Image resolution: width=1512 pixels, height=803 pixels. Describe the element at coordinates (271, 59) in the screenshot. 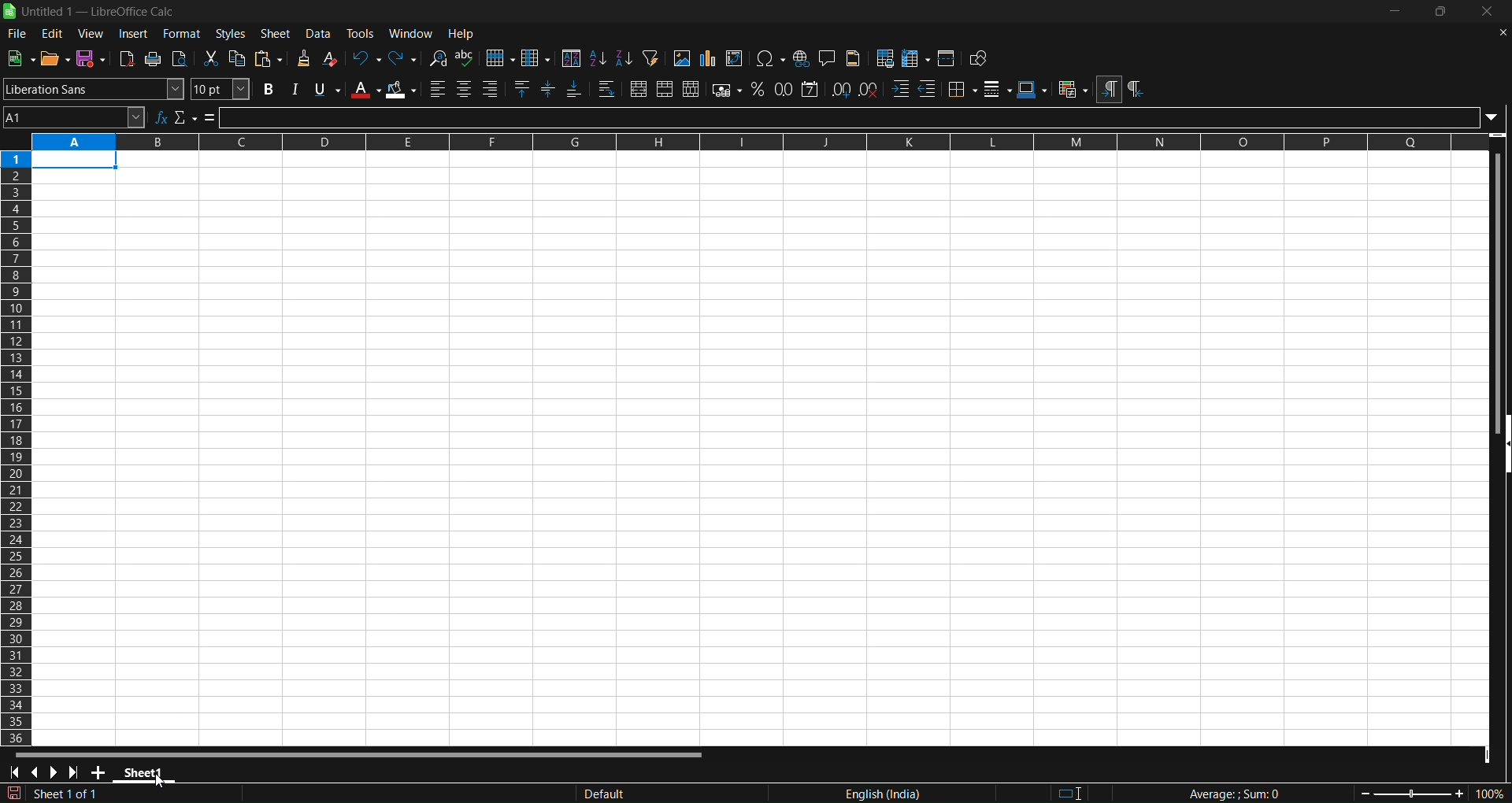

I see `paste` at that location.